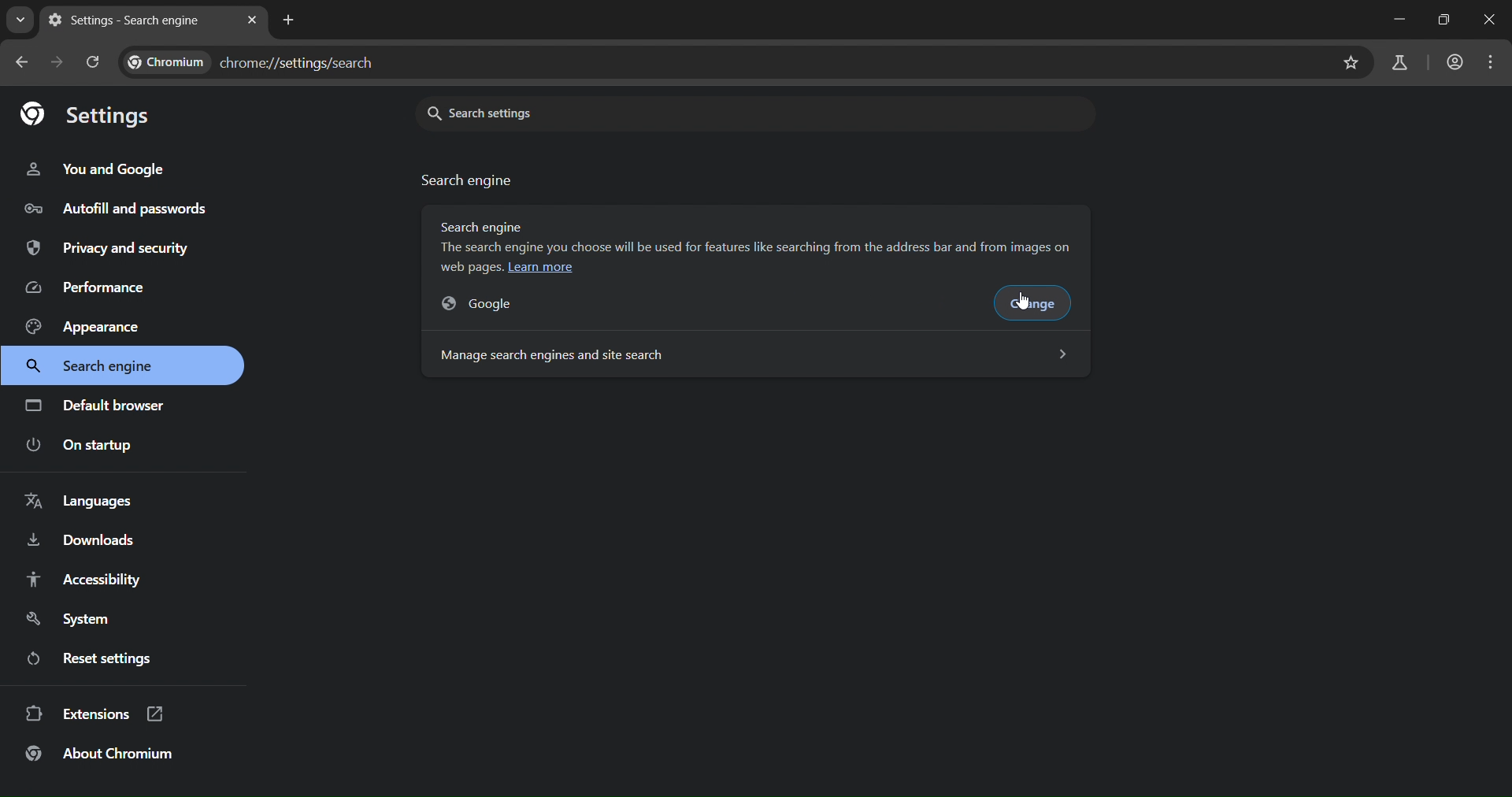  I want to click on search engine, so click(469, 180).